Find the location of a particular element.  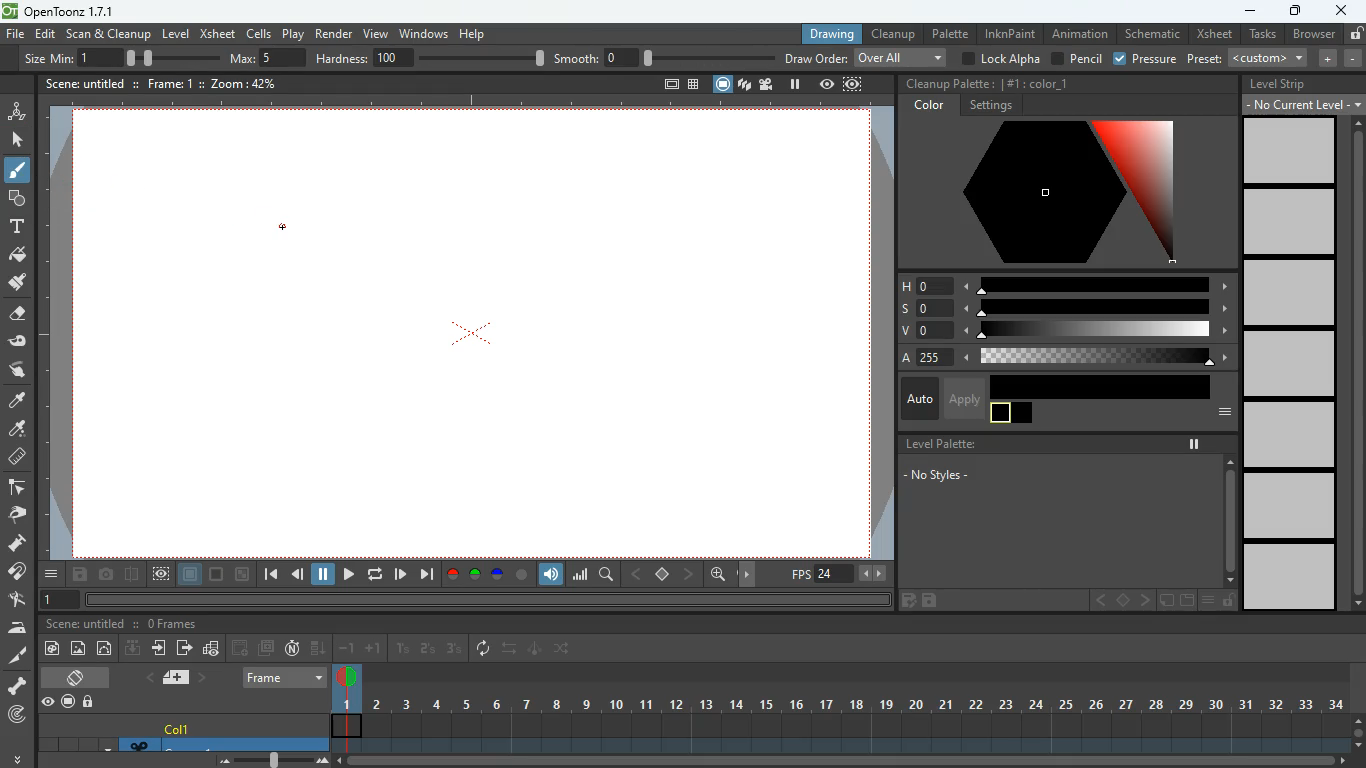

text is located at coordinates (15, 226).